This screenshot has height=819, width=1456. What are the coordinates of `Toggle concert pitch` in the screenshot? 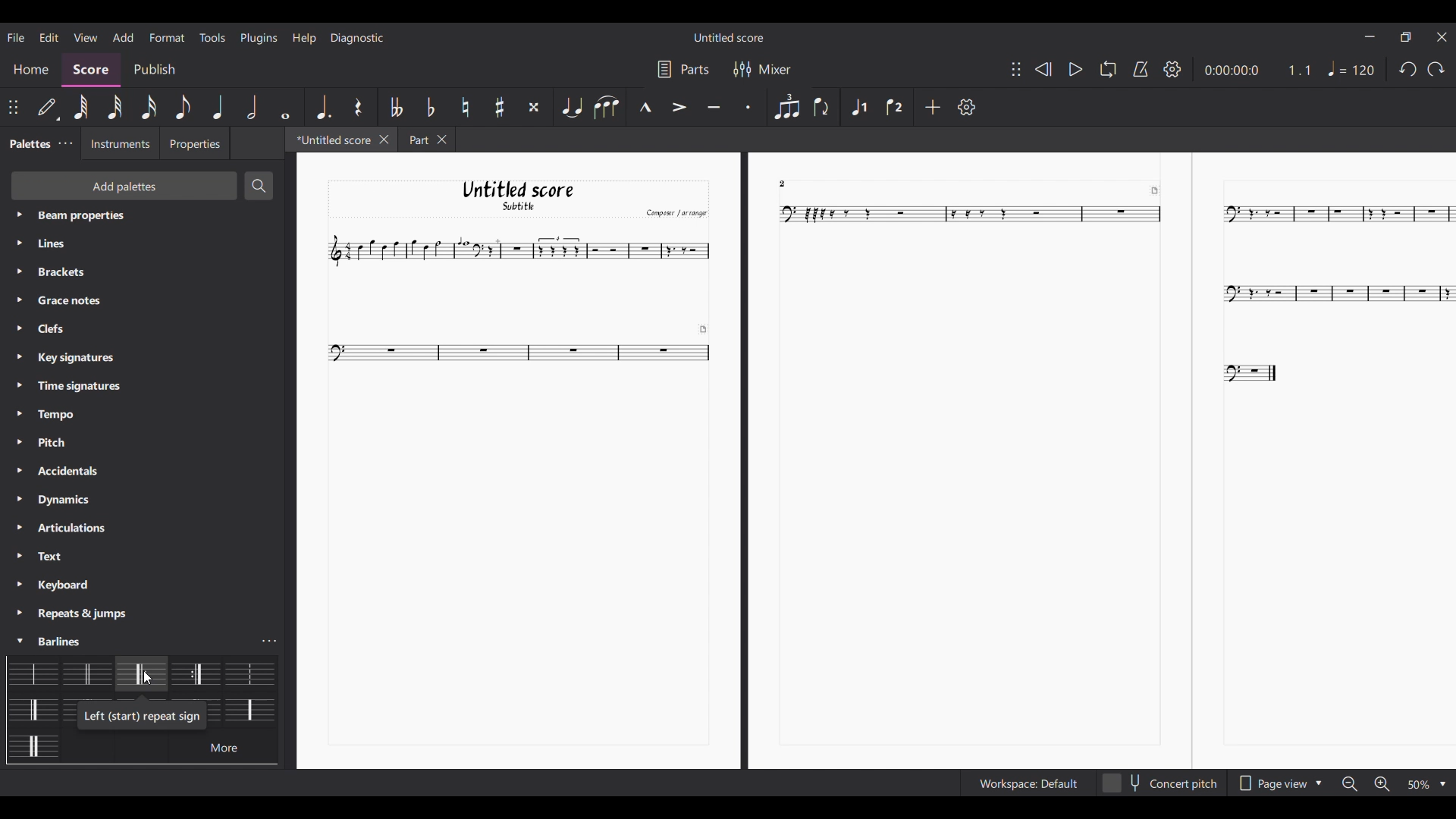 It's located at (1160, 783).